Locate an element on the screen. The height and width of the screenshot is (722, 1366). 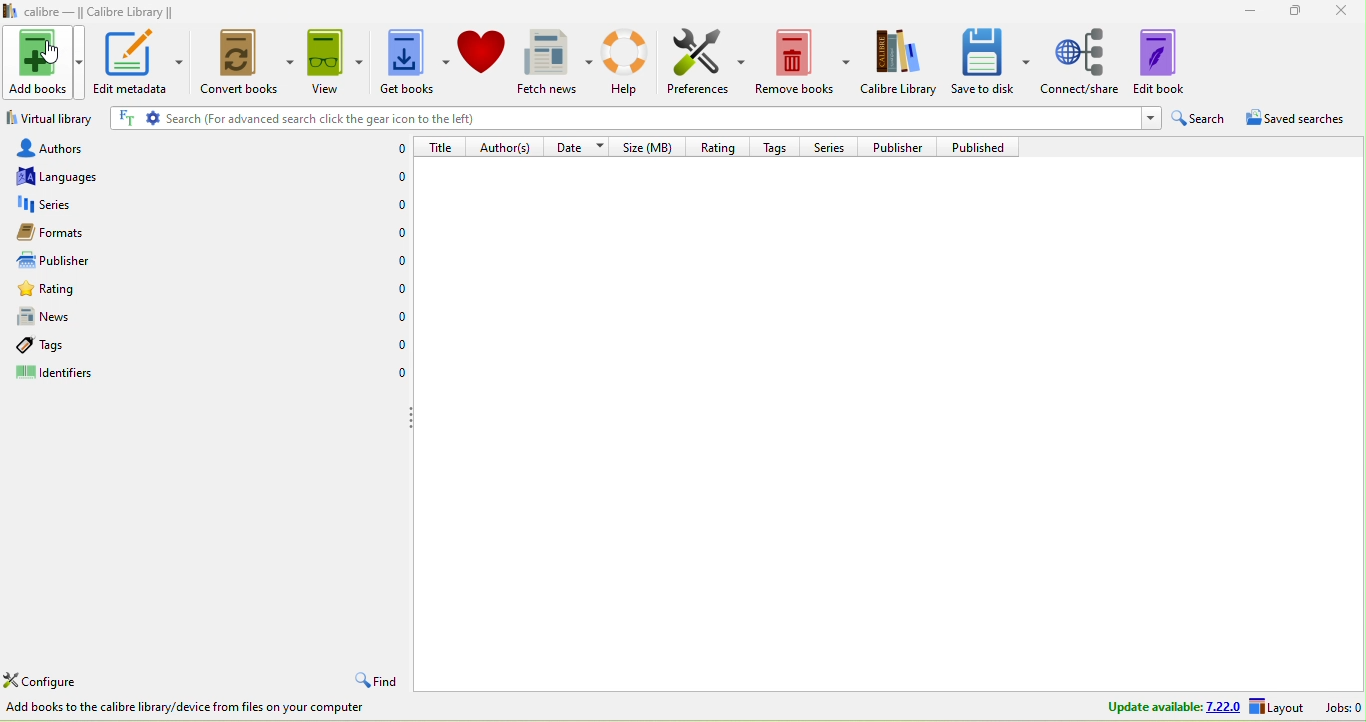
saved searches is located at coordinates (1297, 116).